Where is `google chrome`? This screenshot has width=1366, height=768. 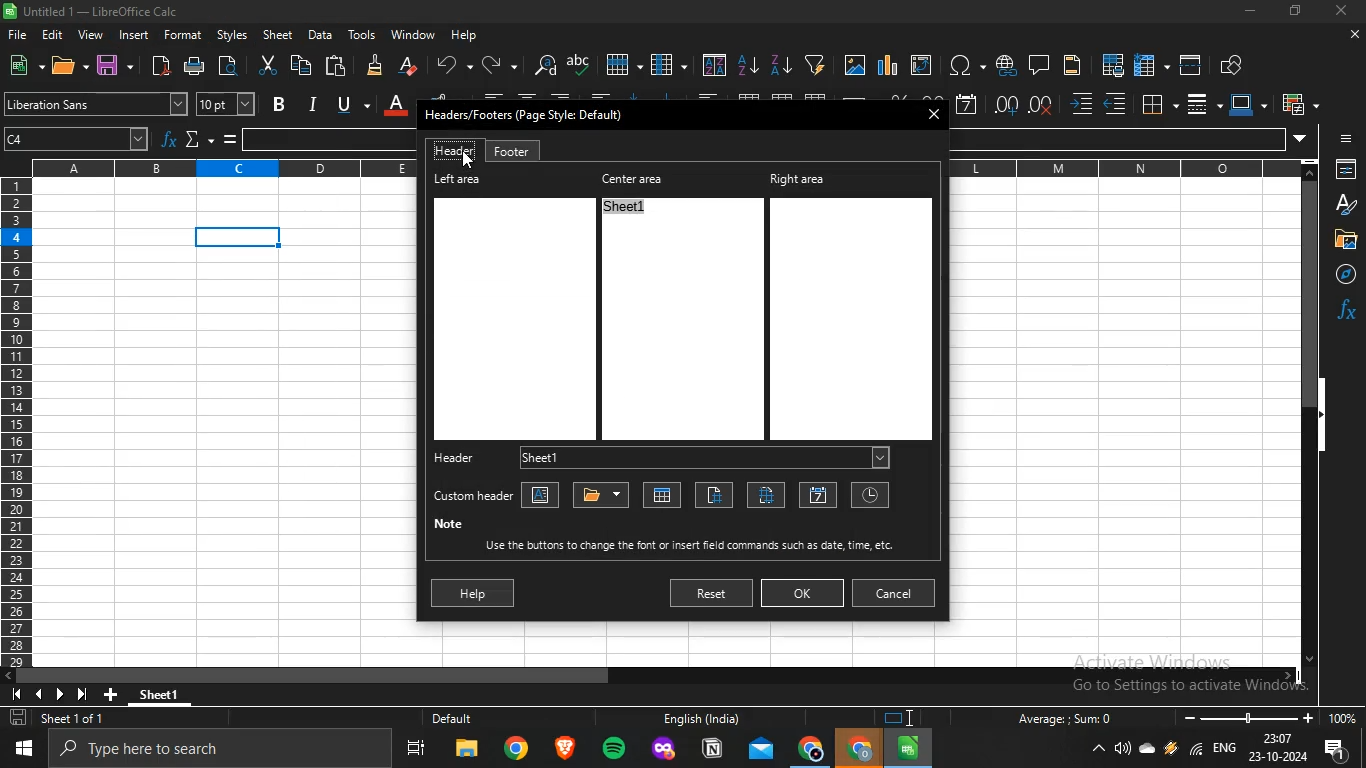
google chrome is located at coordinates (516, 751).